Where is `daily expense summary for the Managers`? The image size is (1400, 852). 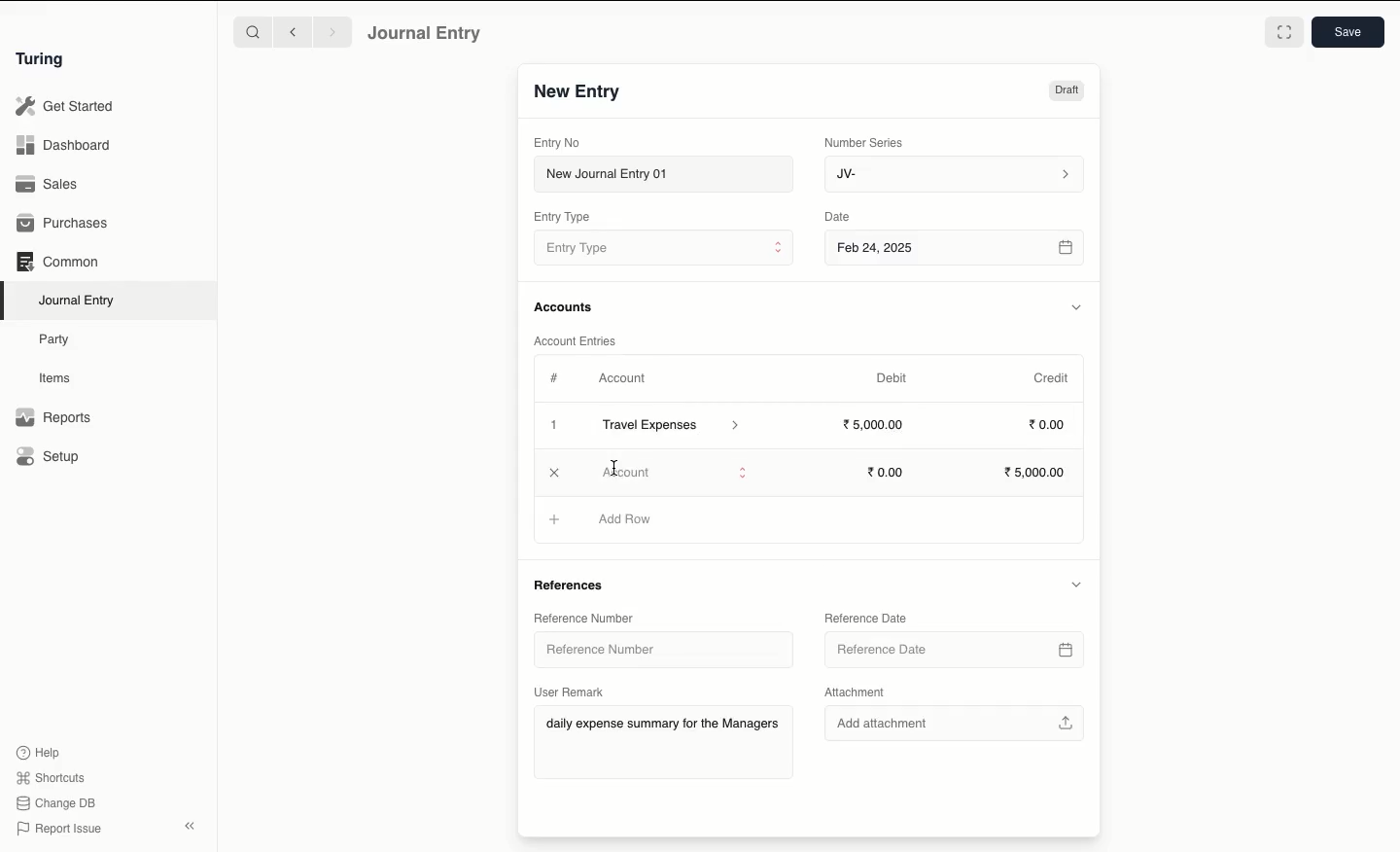
daily expense summary for the Managers is located at coordinates (663, 727).